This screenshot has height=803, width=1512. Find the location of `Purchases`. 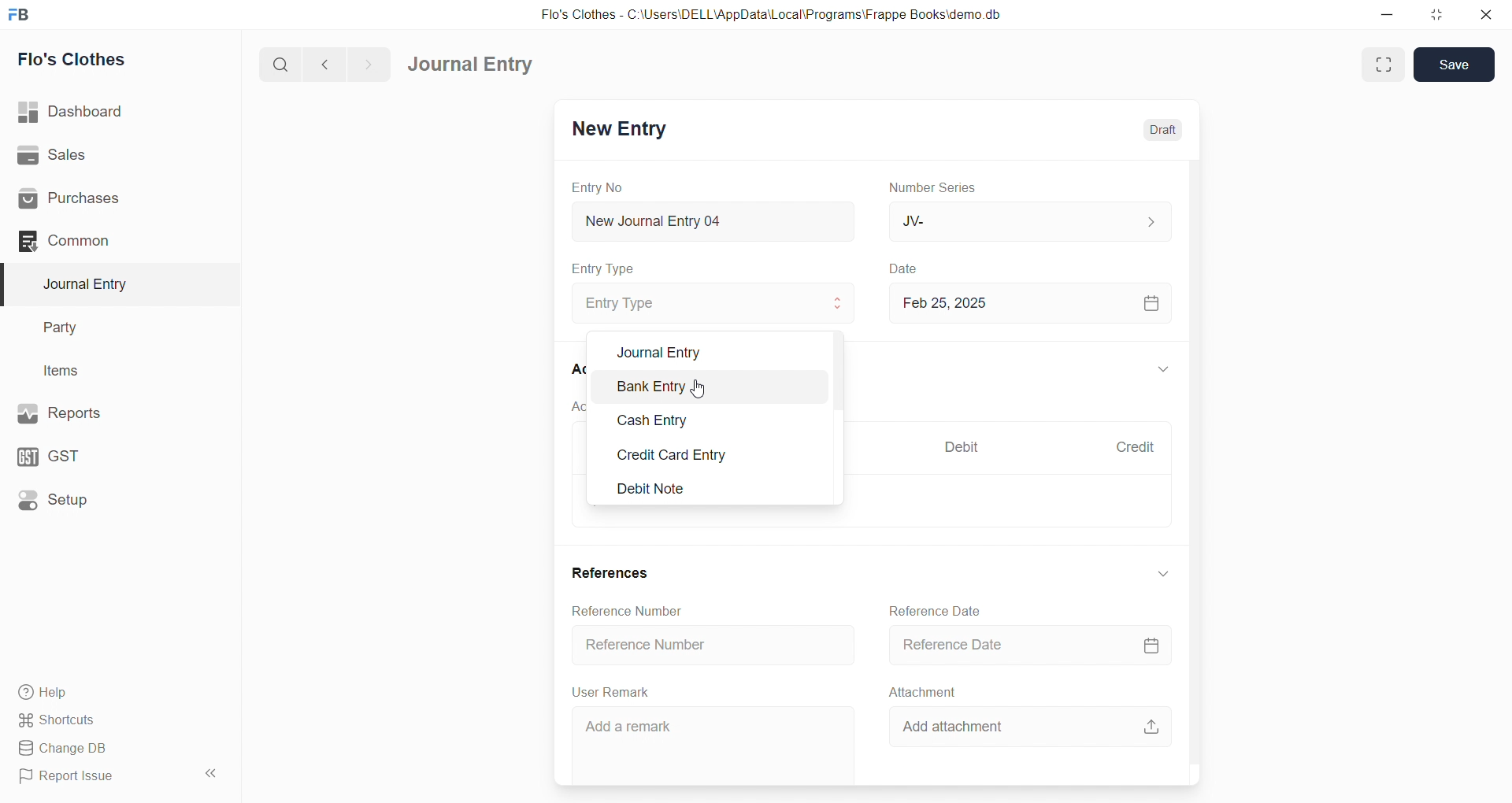

Purchases is located at coordinates (113, 199).